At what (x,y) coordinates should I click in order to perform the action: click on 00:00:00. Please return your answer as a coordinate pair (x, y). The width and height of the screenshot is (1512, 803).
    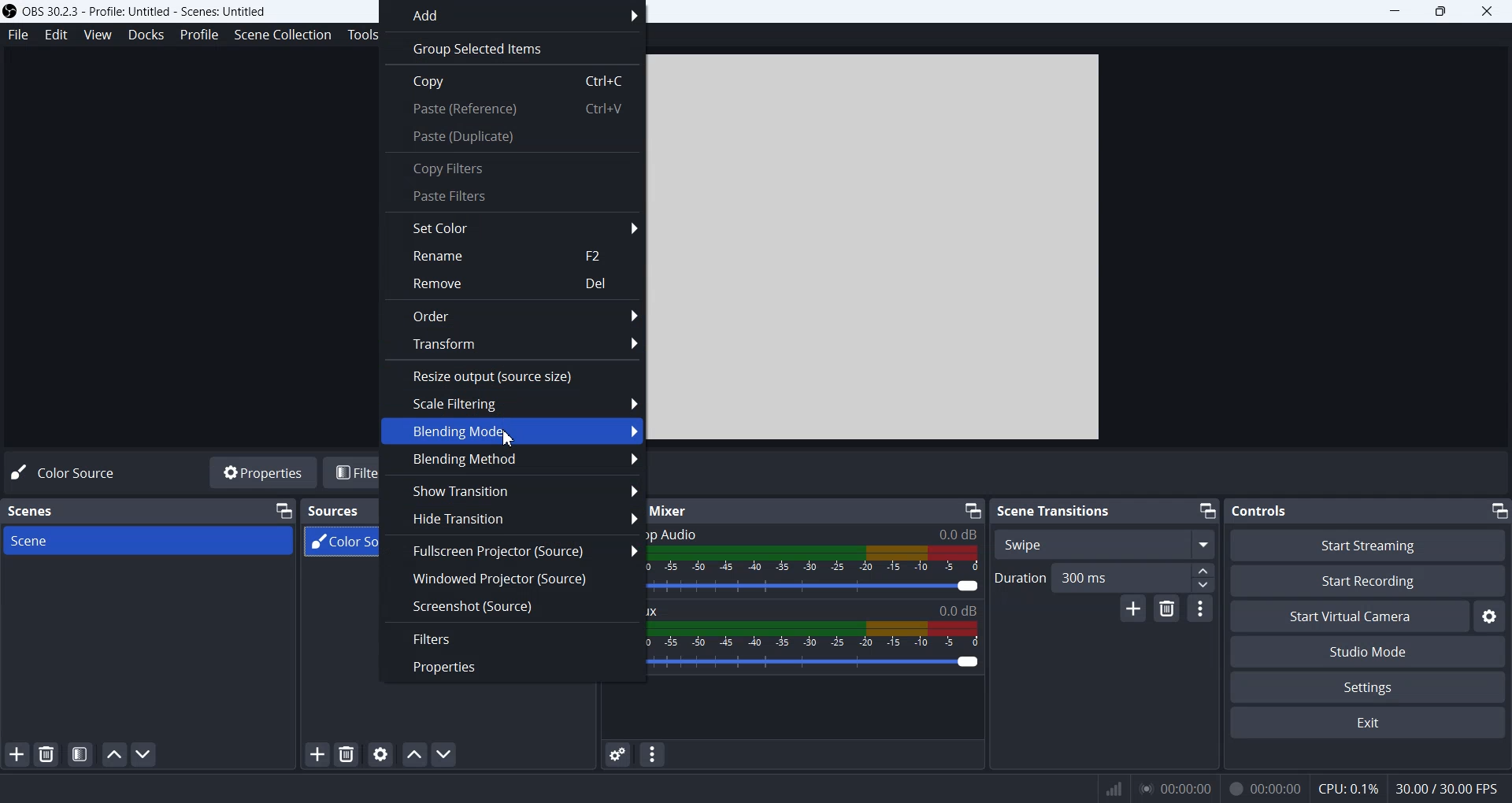
    Looking at the image, I should click on (1263, 786).